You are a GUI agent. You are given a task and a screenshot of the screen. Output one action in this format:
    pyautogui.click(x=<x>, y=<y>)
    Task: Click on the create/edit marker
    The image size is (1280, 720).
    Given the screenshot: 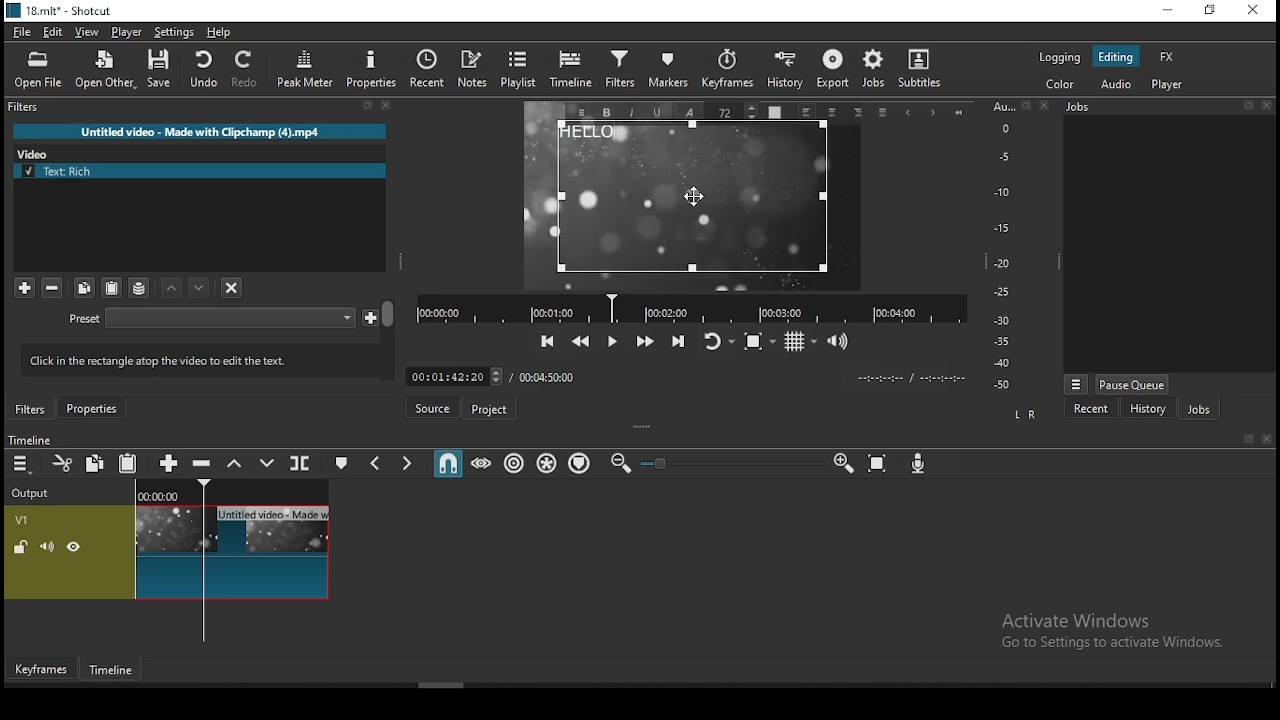 What is the action you would take?
    pyautogui.click(x=339, y=462)
    